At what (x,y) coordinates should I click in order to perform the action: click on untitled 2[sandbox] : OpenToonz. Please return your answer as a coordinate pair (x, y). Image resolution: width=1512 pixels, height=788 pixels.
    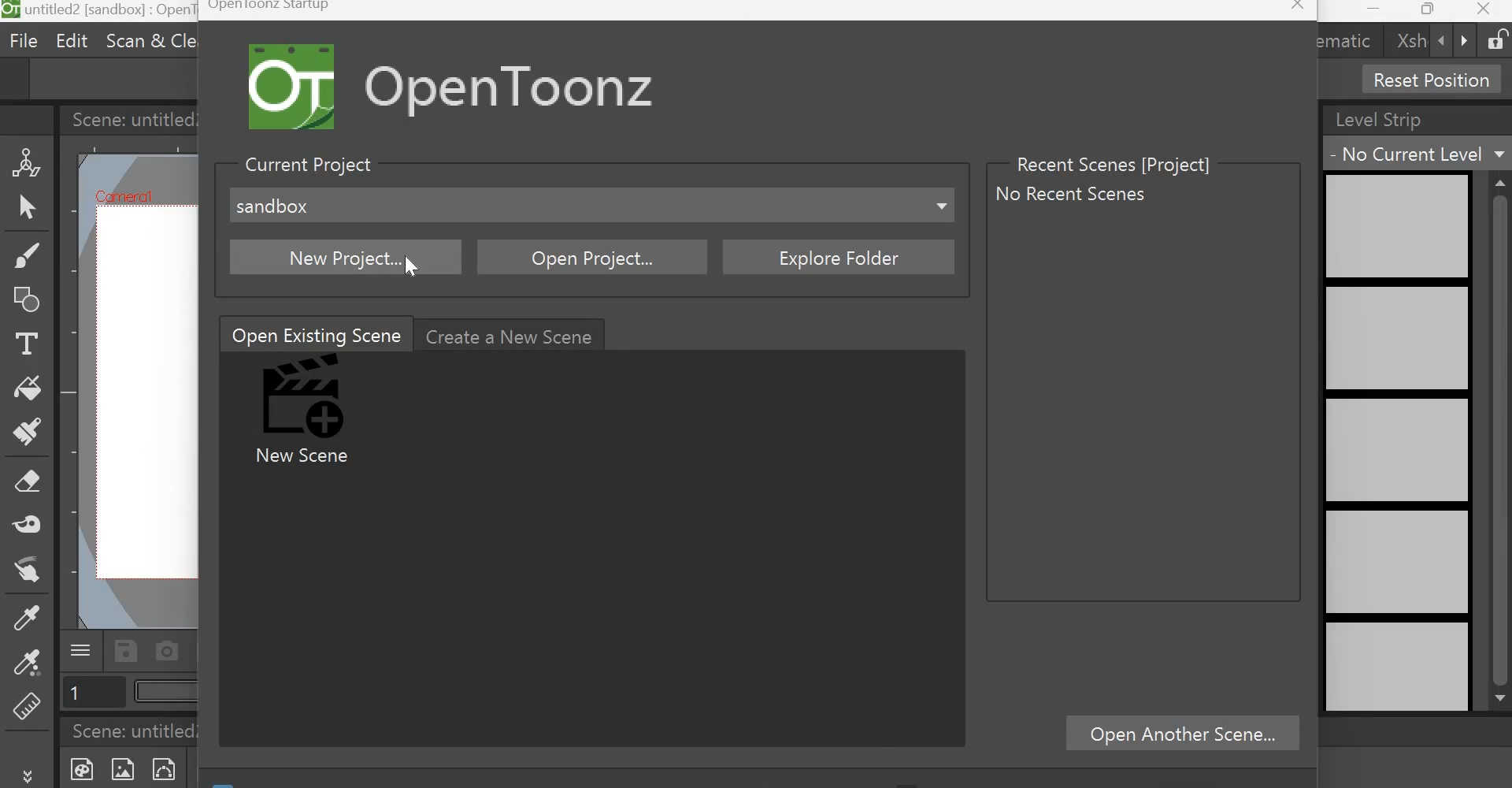
    Looking at the image, I should click on (100, 12).